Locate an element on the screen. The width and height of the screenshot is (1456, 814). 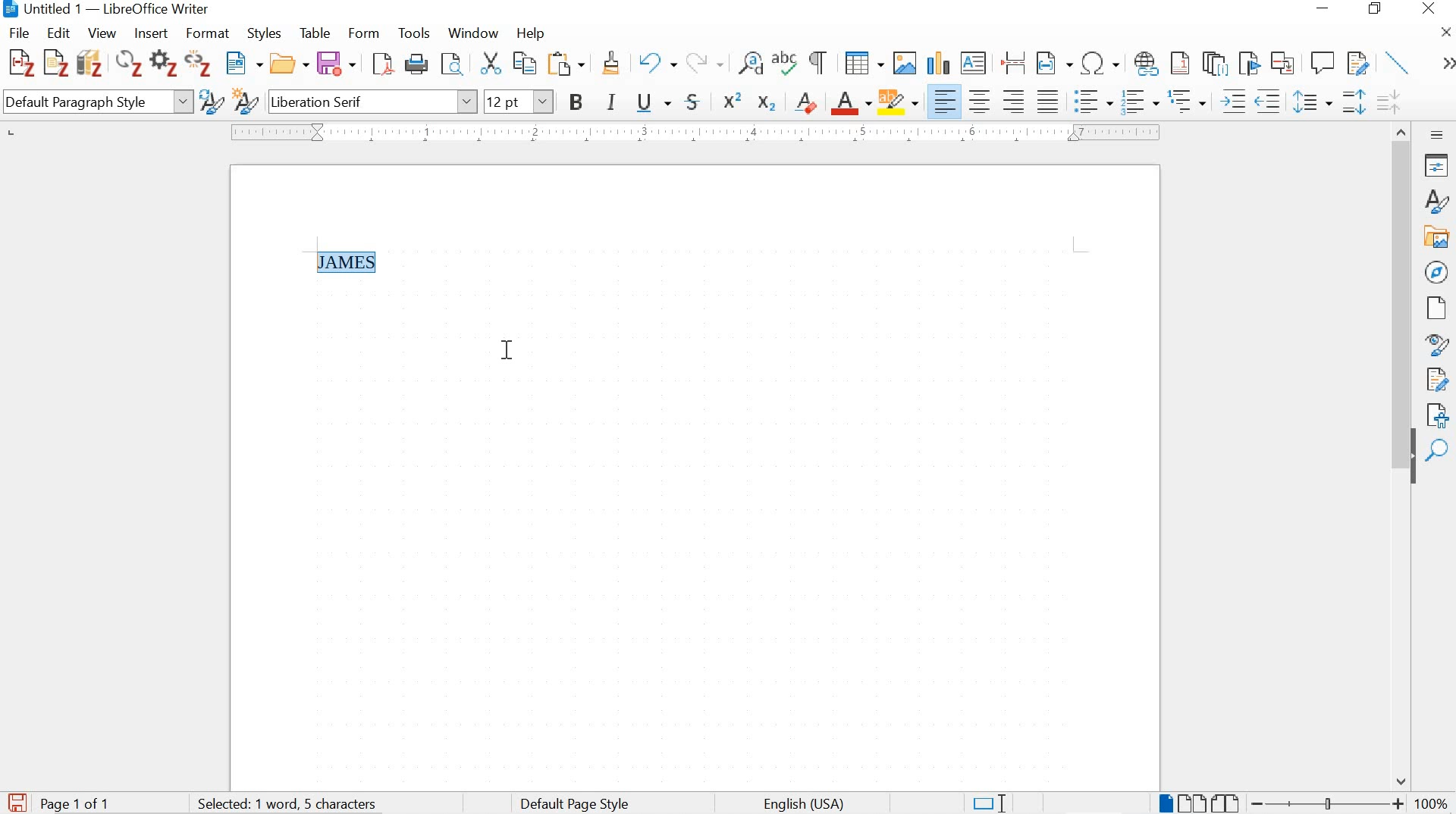
undo is located at coordinates (656, 64).